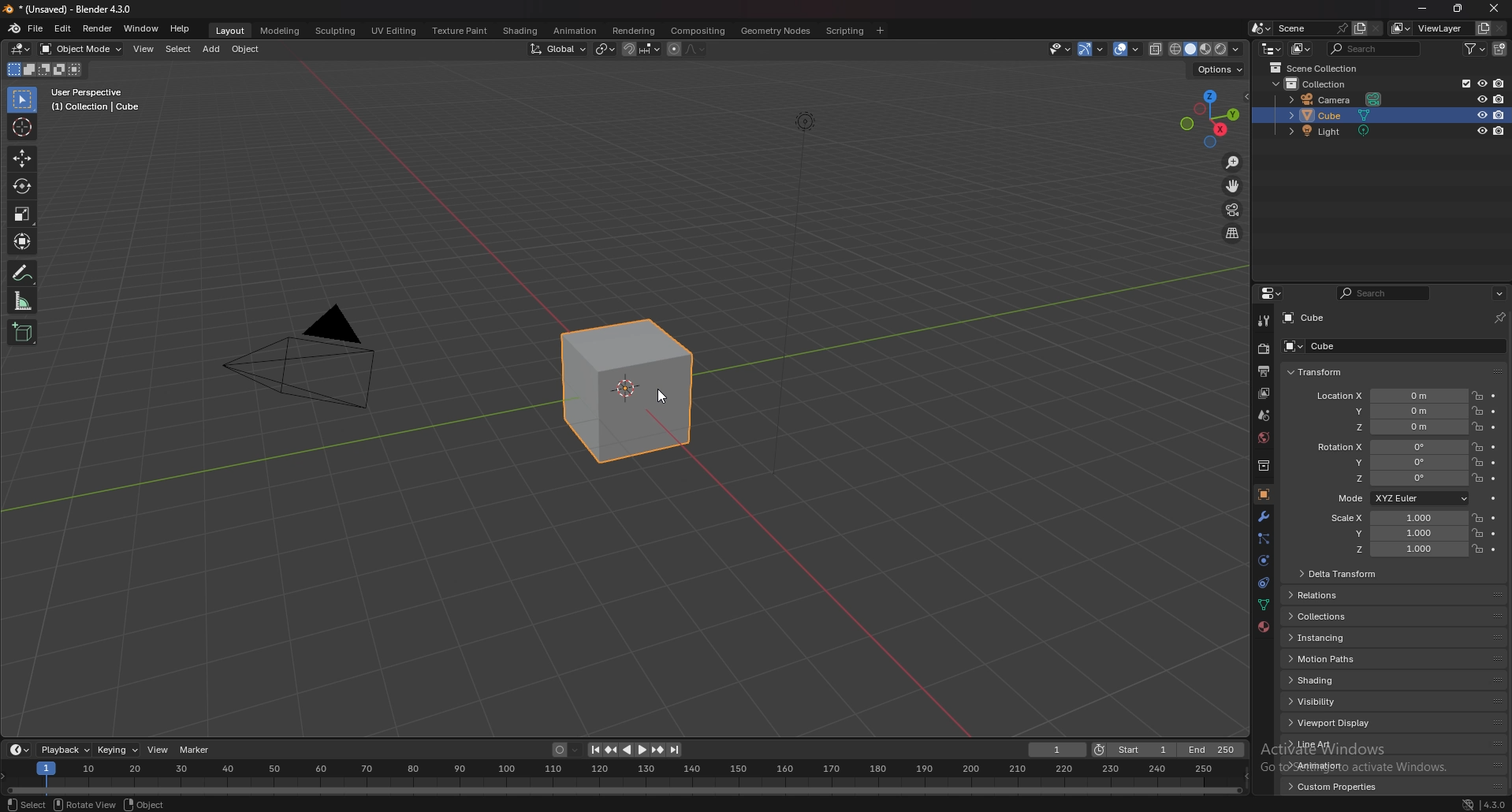 The width and height of the screenshot is (1512, 812). I want to click on viewport shading, so click(1190, 49).